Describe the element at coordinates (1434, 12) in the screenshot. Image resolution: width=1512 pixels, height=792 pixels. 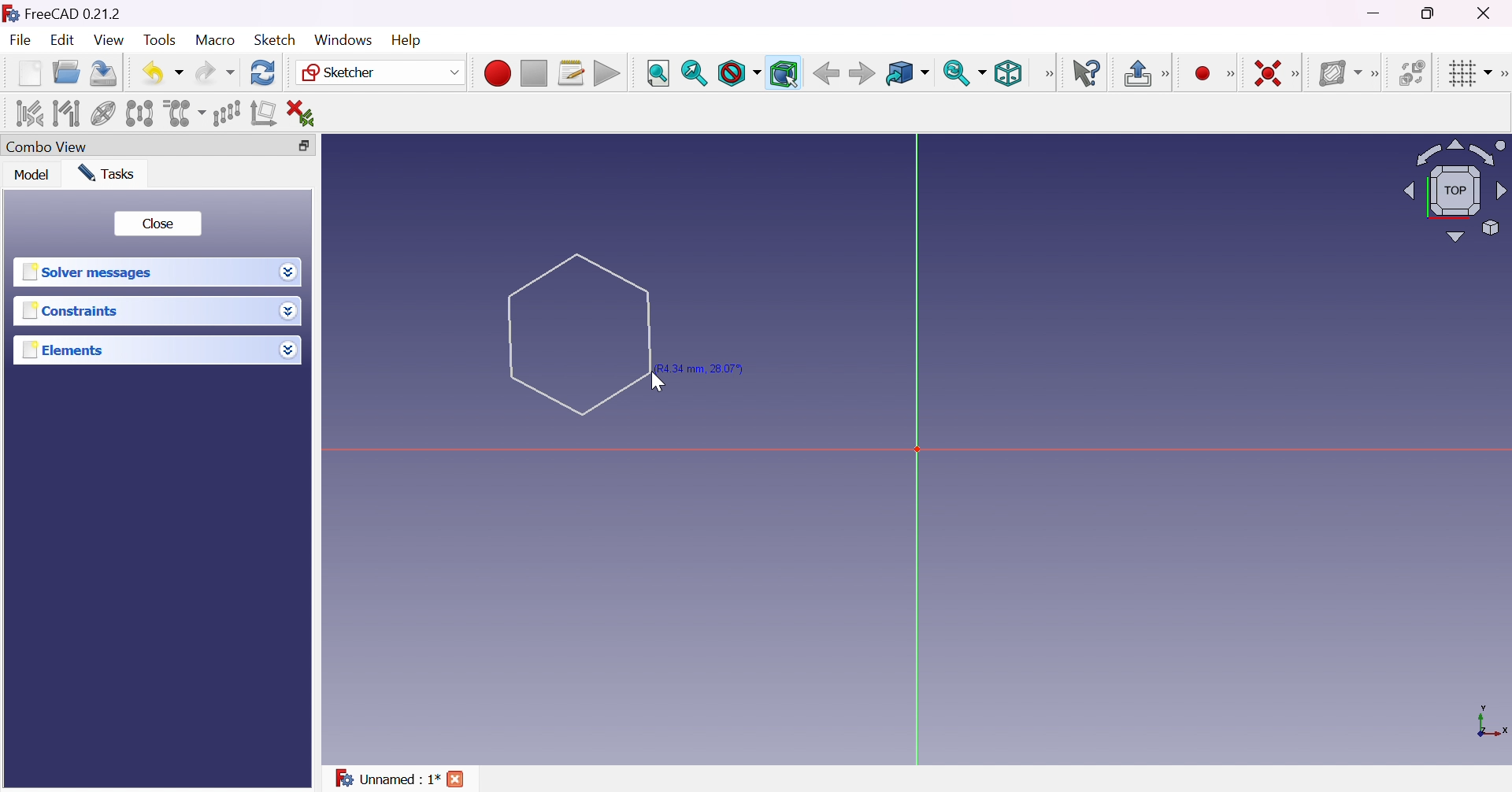
I see `Restore down` at that location.